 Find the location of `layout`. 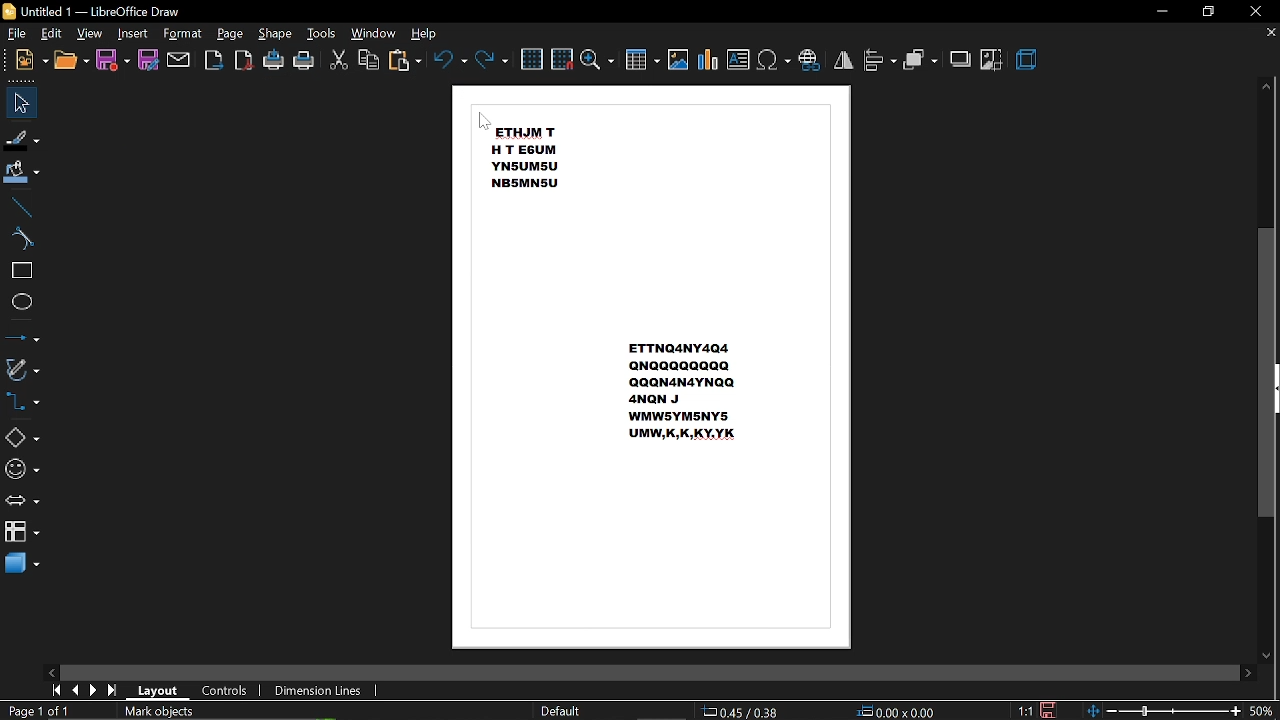

layout is located at coordinates (161, 691).